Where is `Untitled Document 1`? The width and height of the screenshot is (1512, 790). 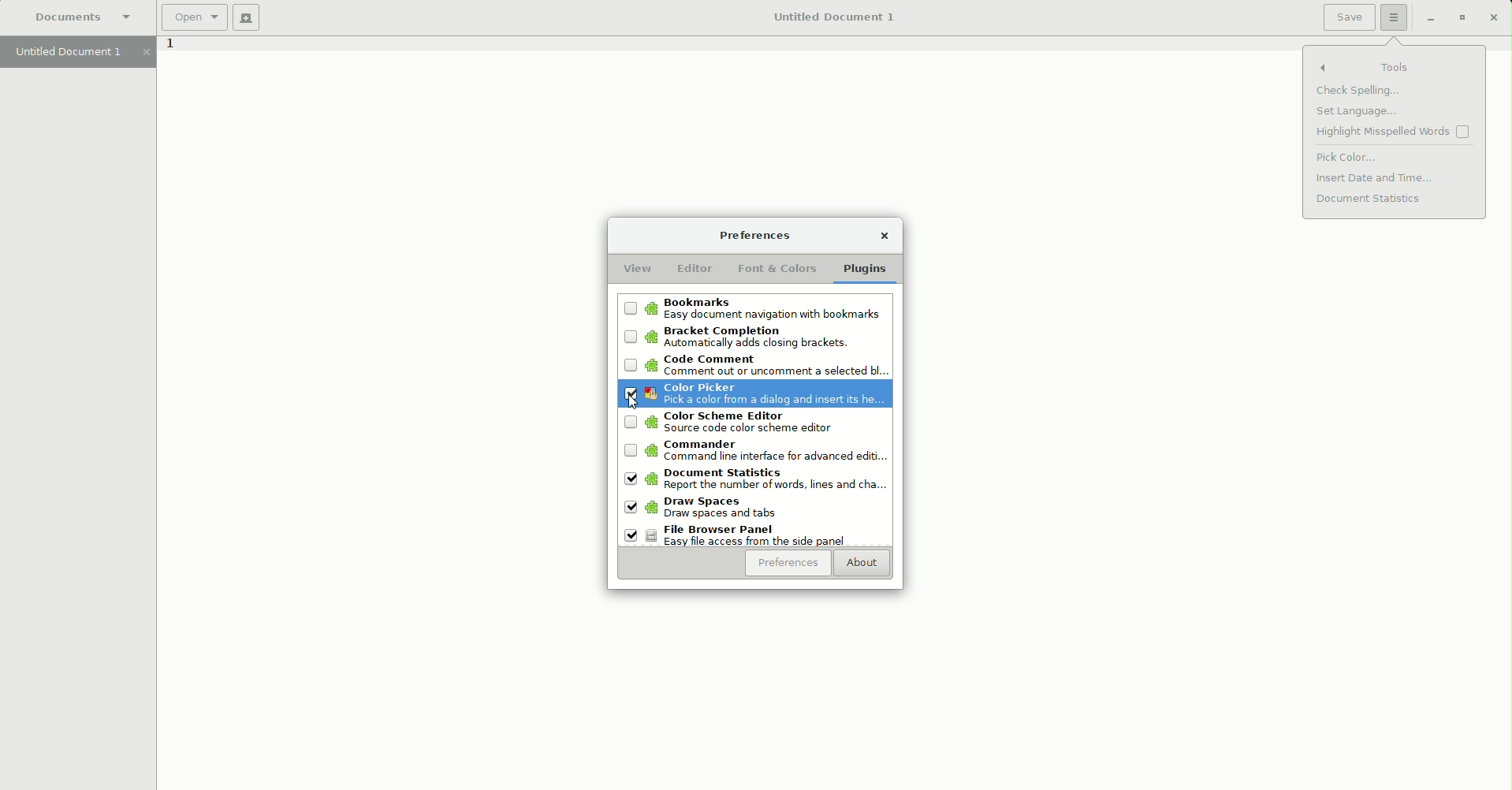 Untitled Document 1 is located at coordinates (832, 17).